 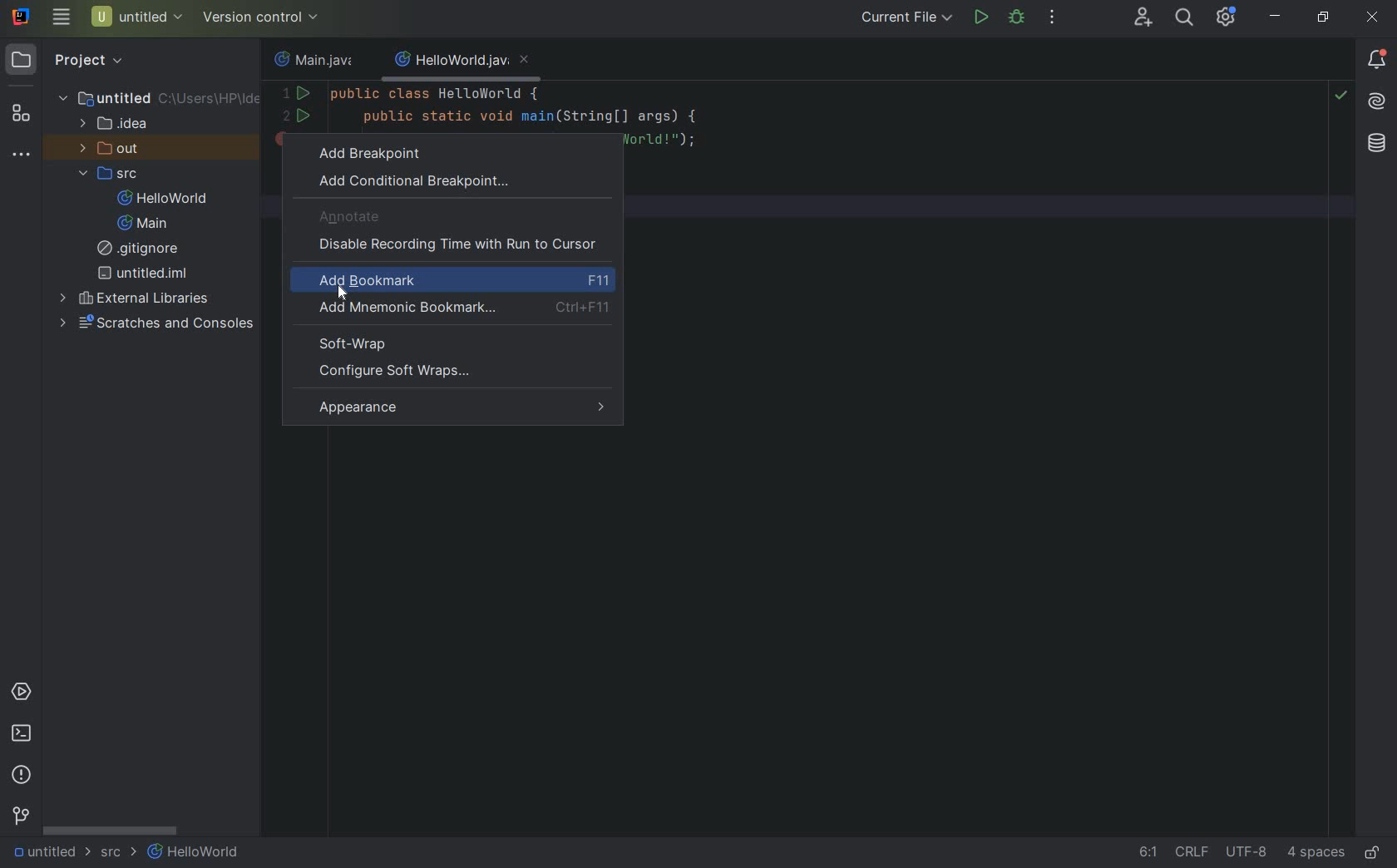 I want to click on services, so click(x=22, y=693).